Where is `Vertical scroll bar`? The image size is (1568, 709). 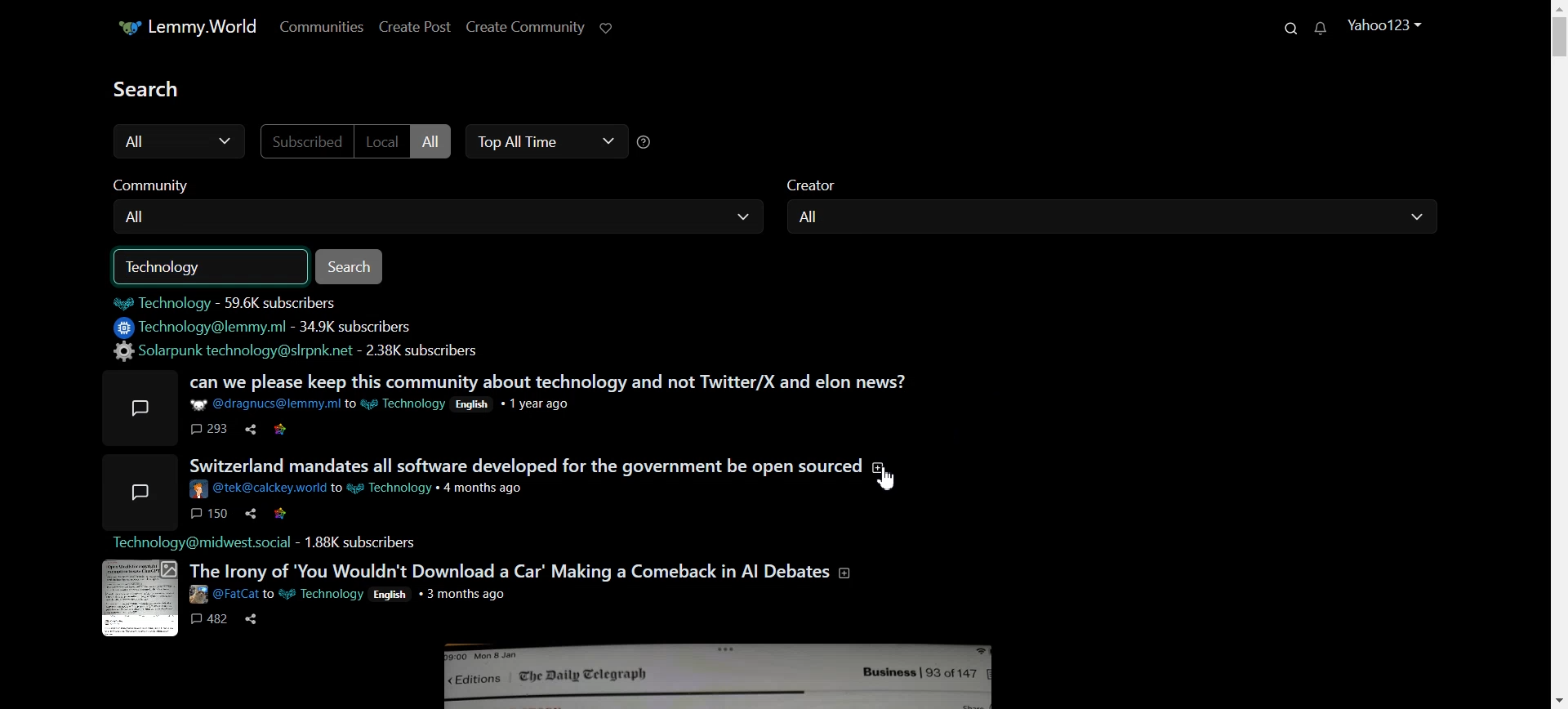 Vertical scroll bar is located at coordinates (1558, 354).